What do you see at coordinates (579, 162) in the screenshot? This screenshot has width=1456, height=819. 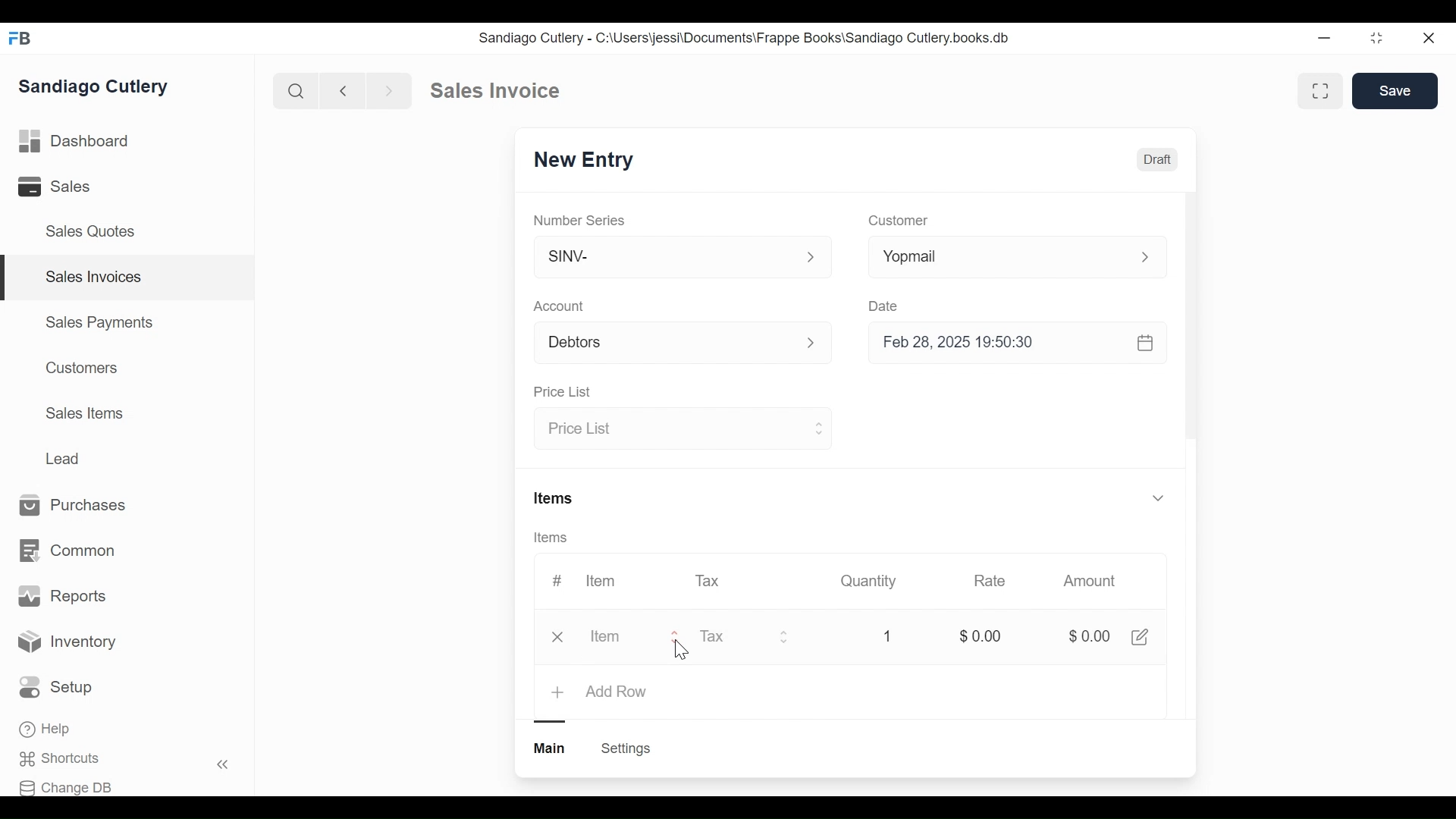 I see `New Entry` at bounding box center [579, 162].